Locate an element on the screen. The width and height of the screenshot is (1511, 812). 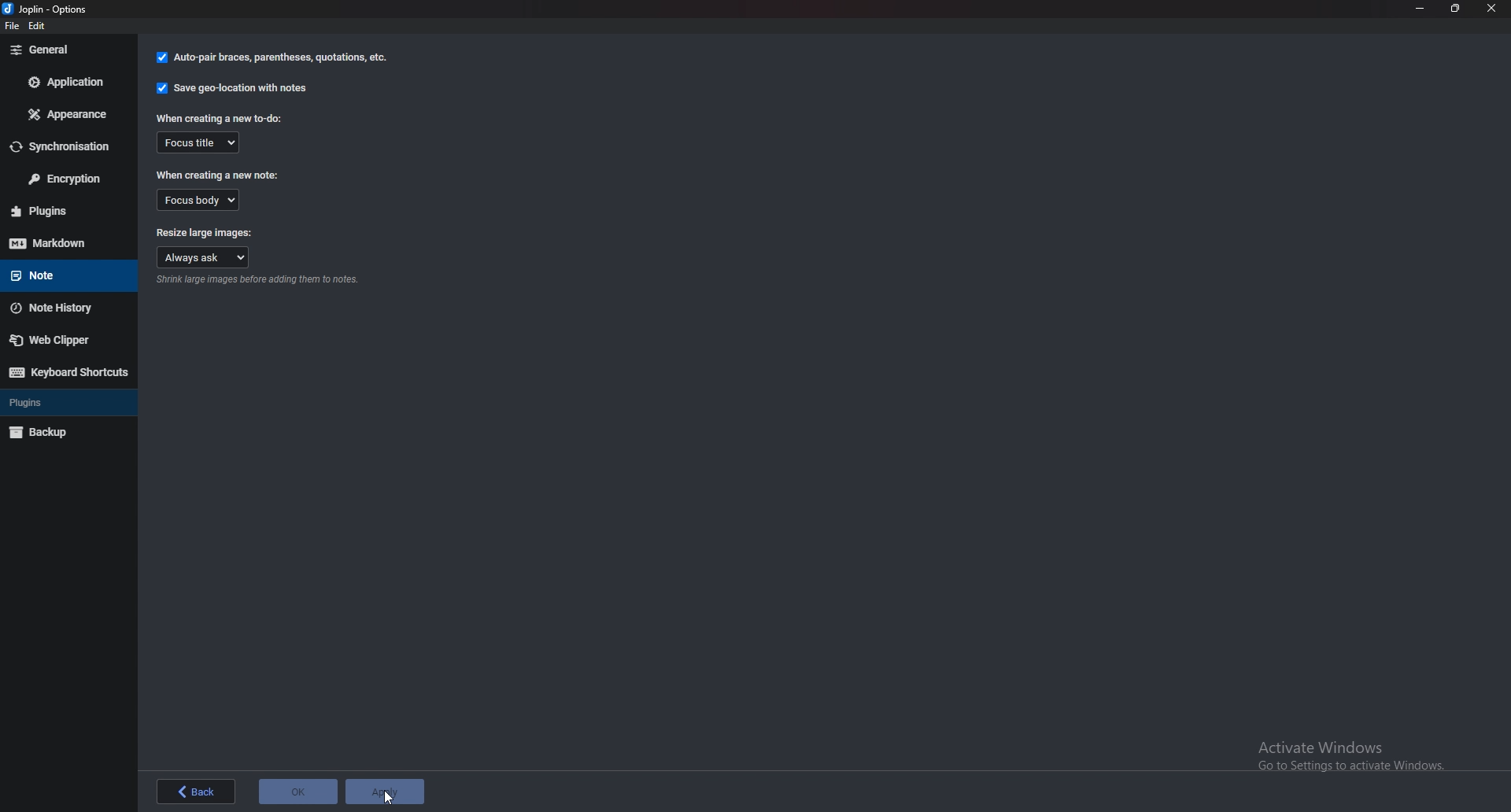
Plugins is located at coordinates (63, 401).